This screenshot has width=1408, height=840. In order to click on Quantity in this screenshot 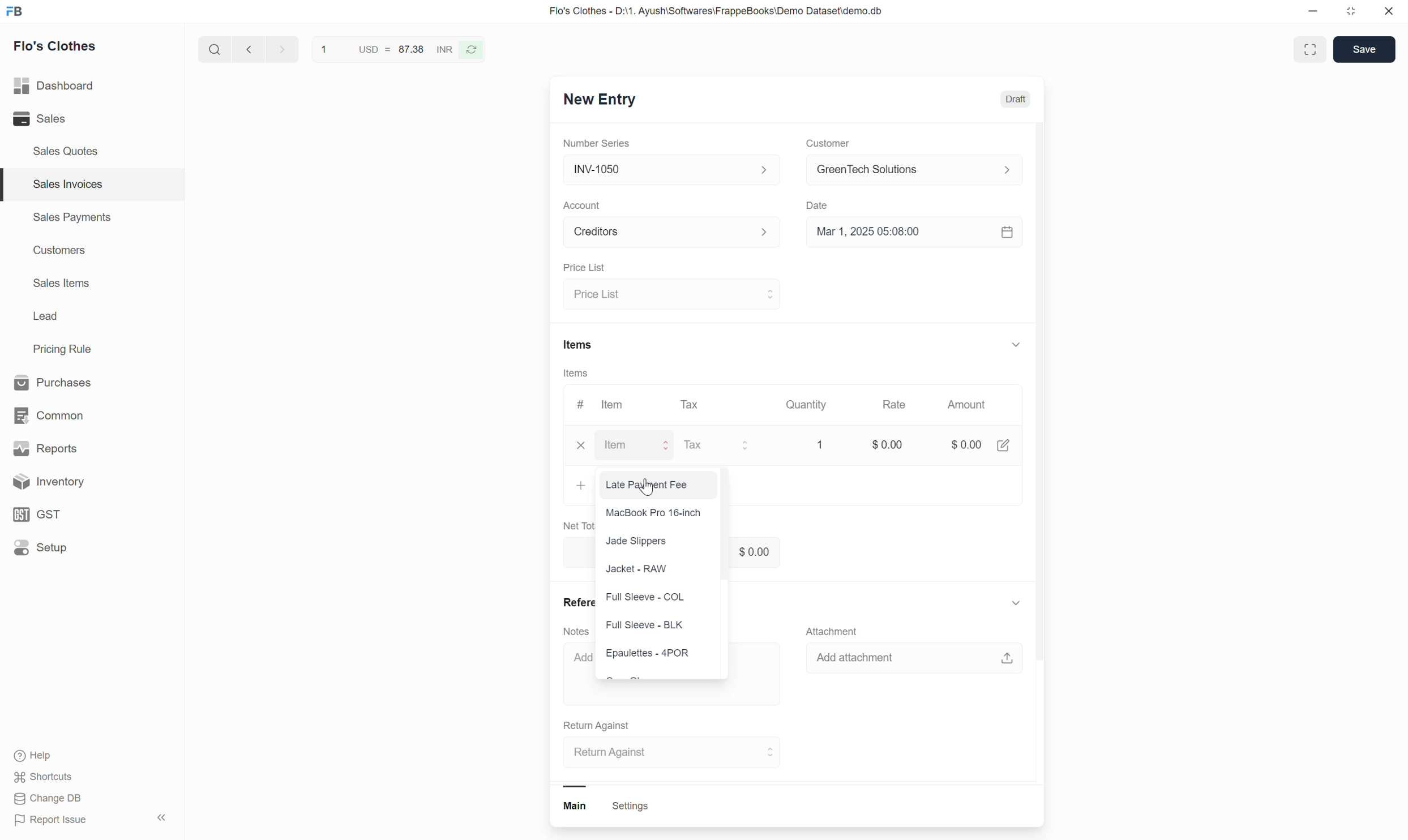, I will do `click(810, 406)`.